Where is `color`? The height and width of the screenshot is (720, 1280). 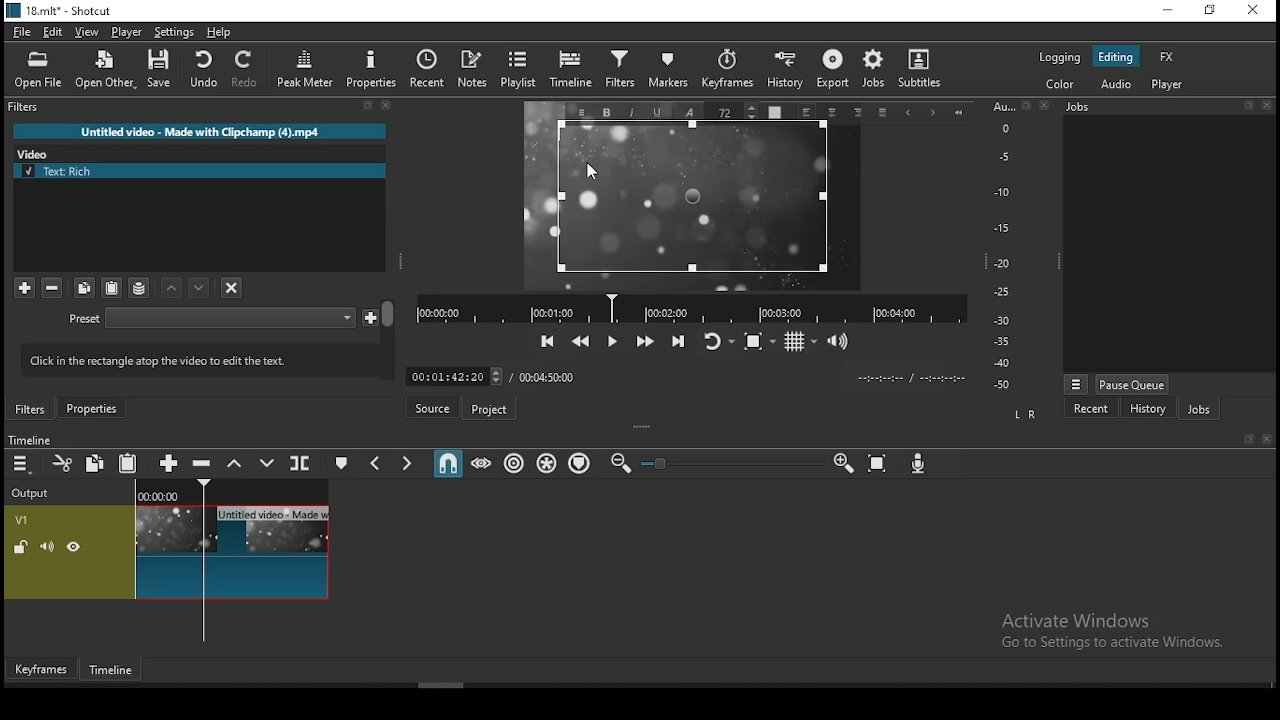
color is located at coordinates (1059, 86).